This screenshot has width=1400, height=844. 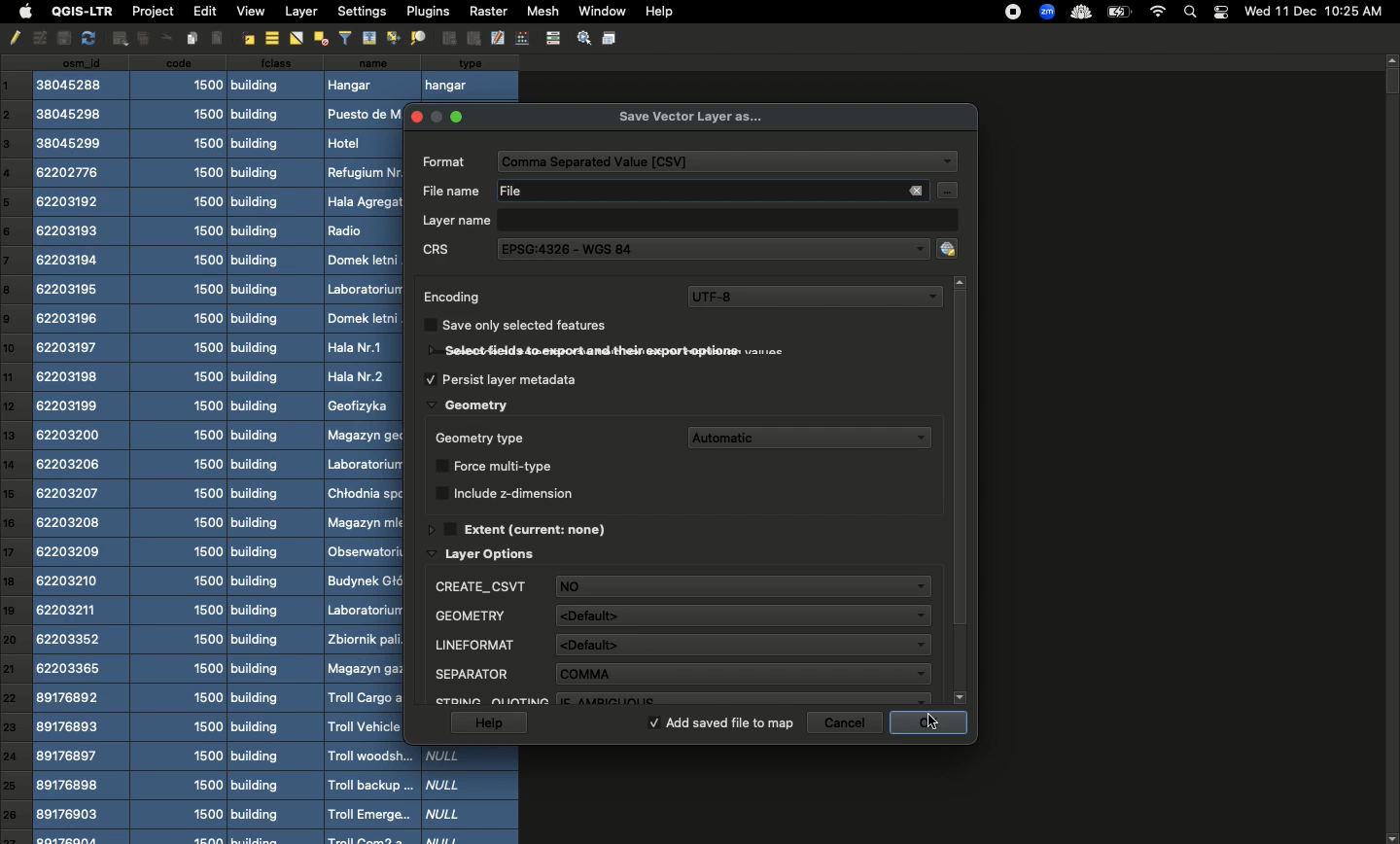 I want to click on Save, so click(x=611, y=38).